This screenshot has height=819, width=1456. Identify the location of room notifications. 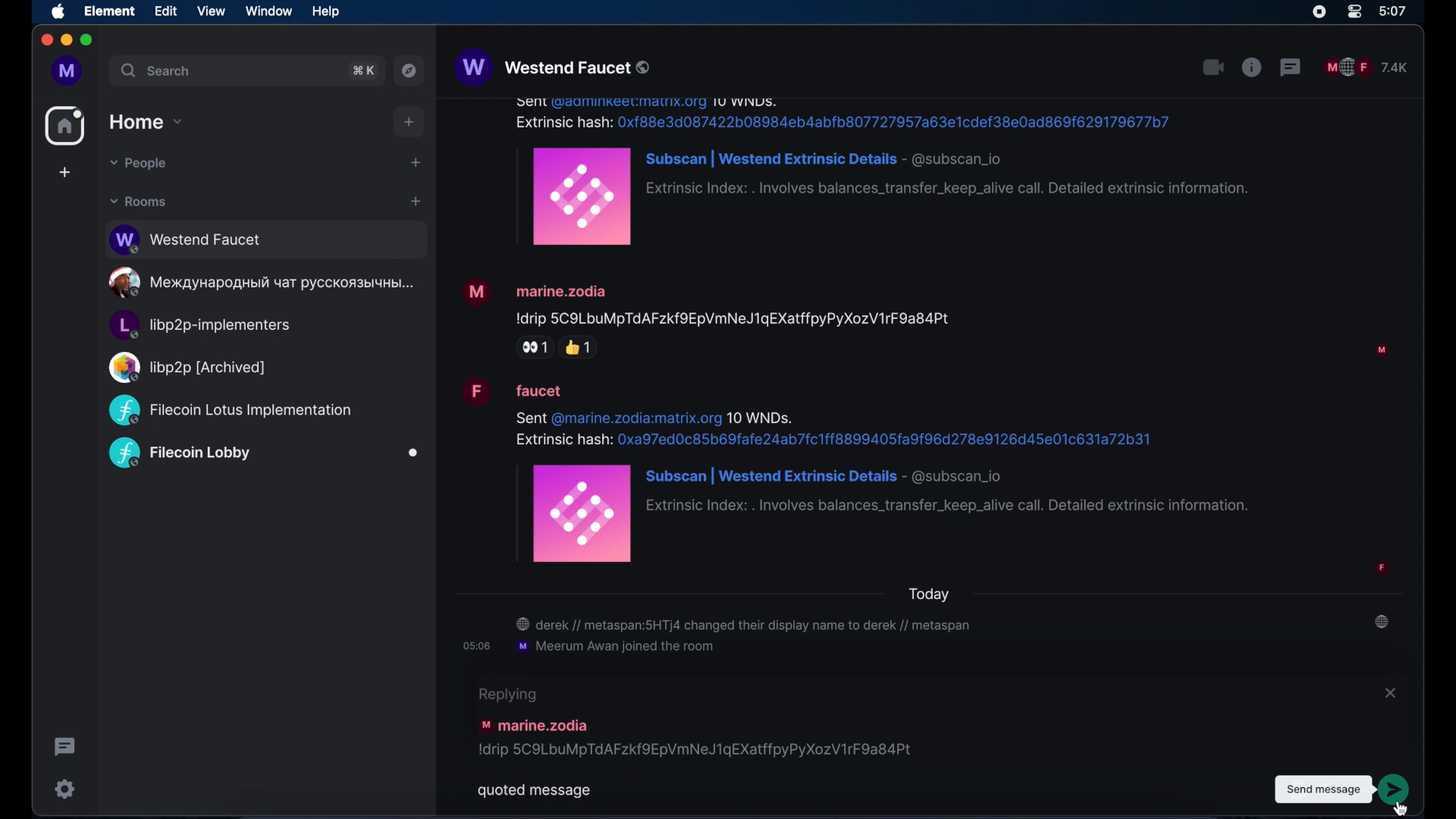
(932, 637).